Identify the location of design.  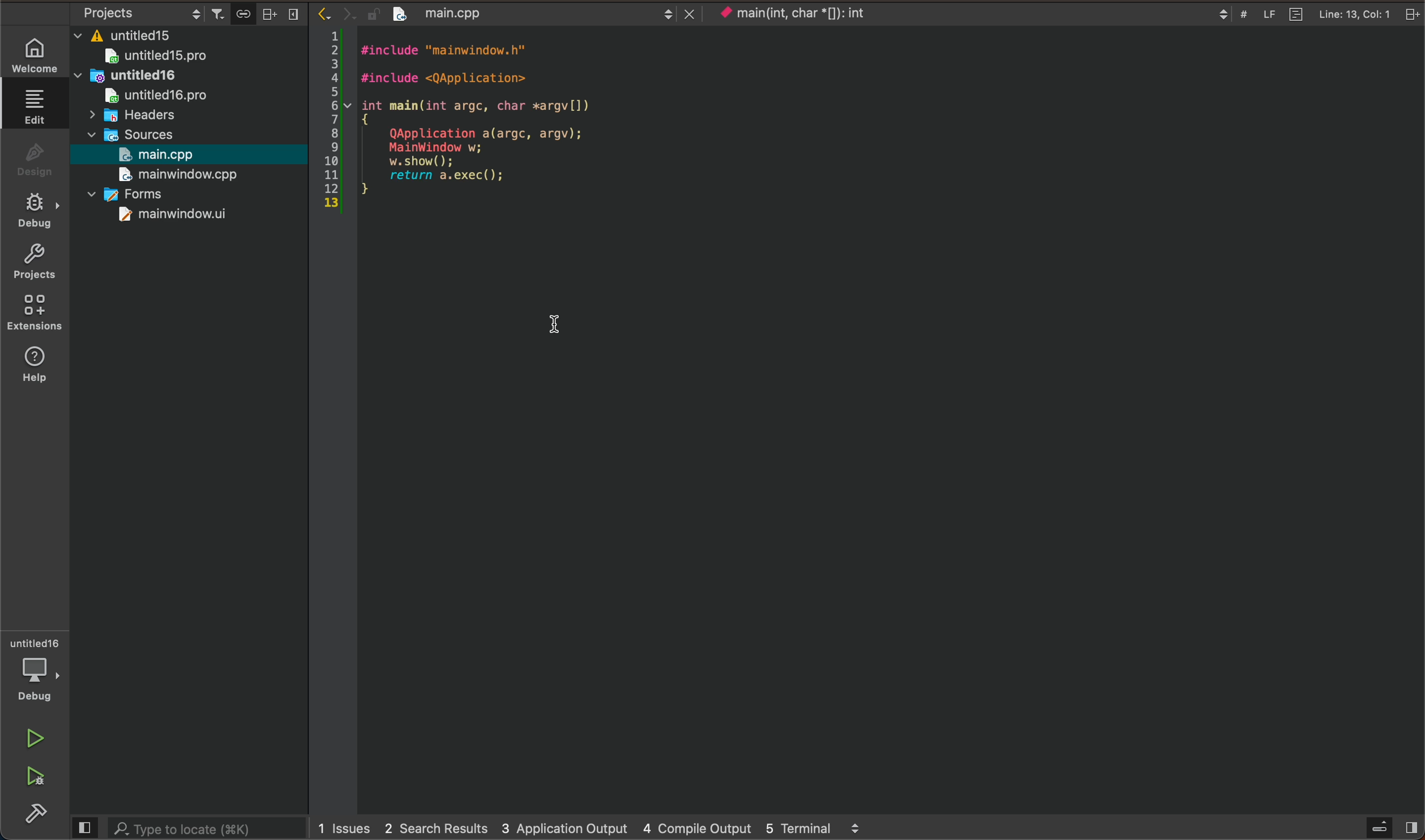
(33, 156).